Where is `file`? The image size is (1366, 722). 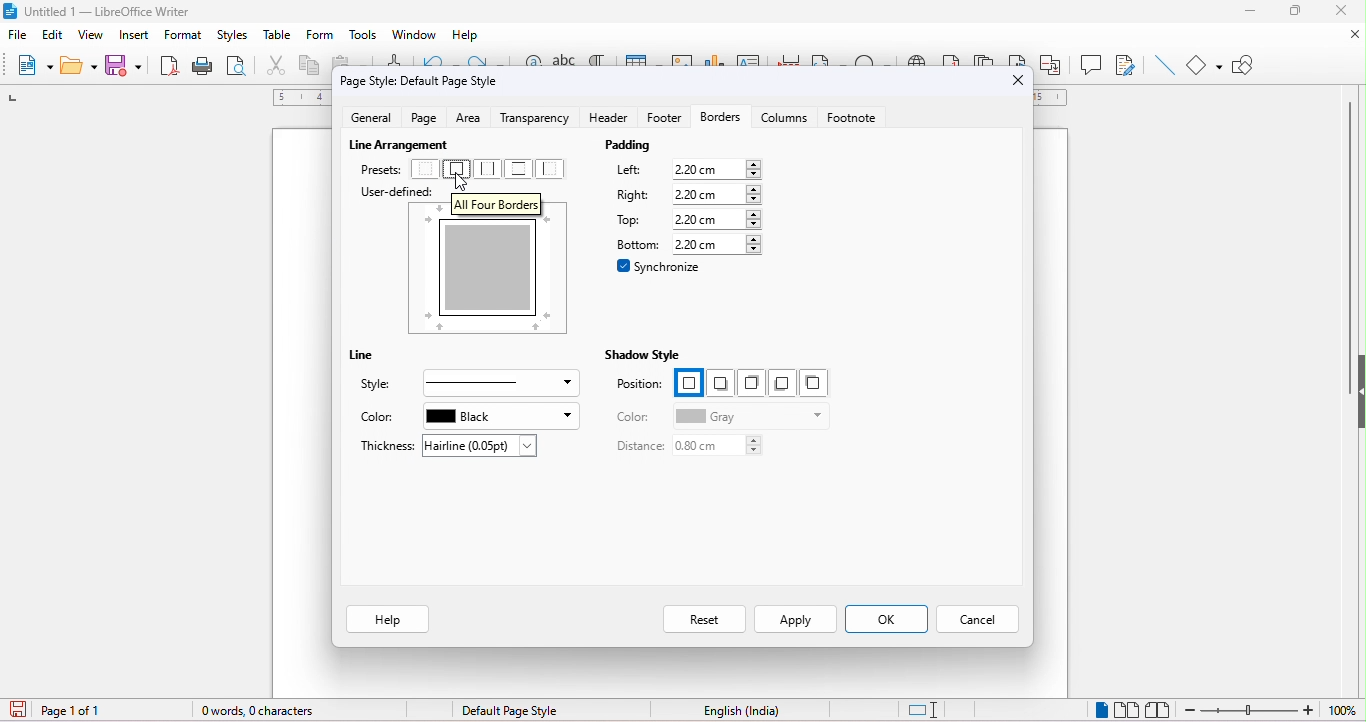 file is located at coordinates (18, 35).